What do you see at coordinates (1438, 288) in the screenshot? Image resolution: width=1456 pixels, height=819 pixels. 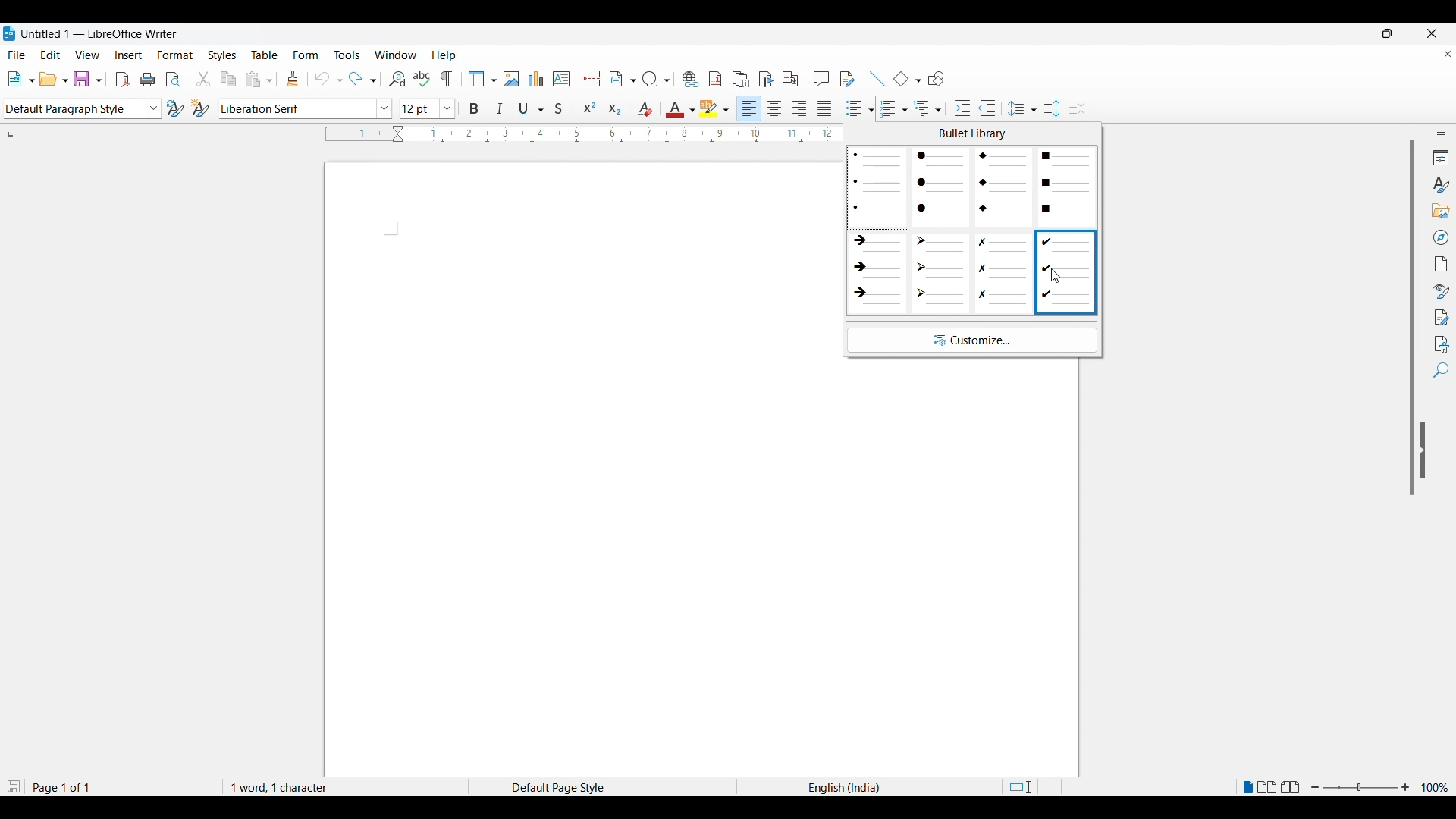 I see `Style inspector` at bounding box center [1438, 288].